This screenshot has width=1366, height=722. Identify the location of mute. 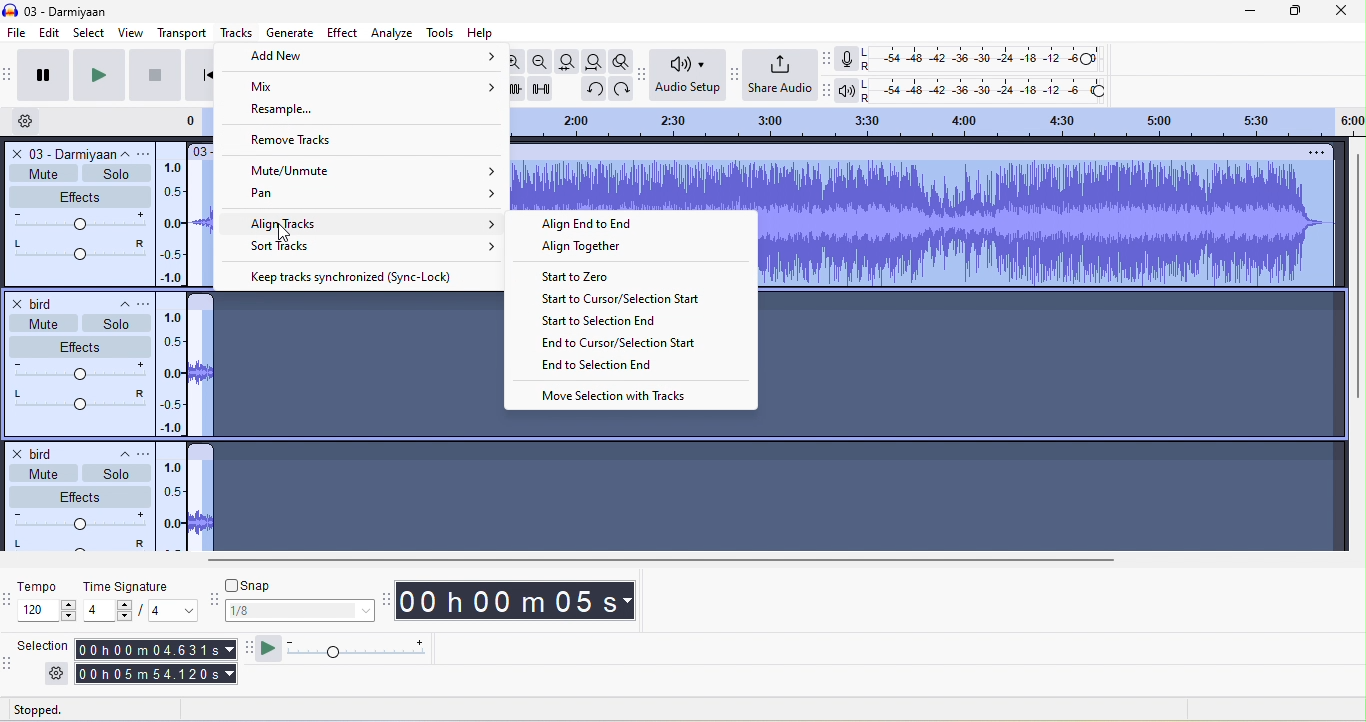
(41, 471).